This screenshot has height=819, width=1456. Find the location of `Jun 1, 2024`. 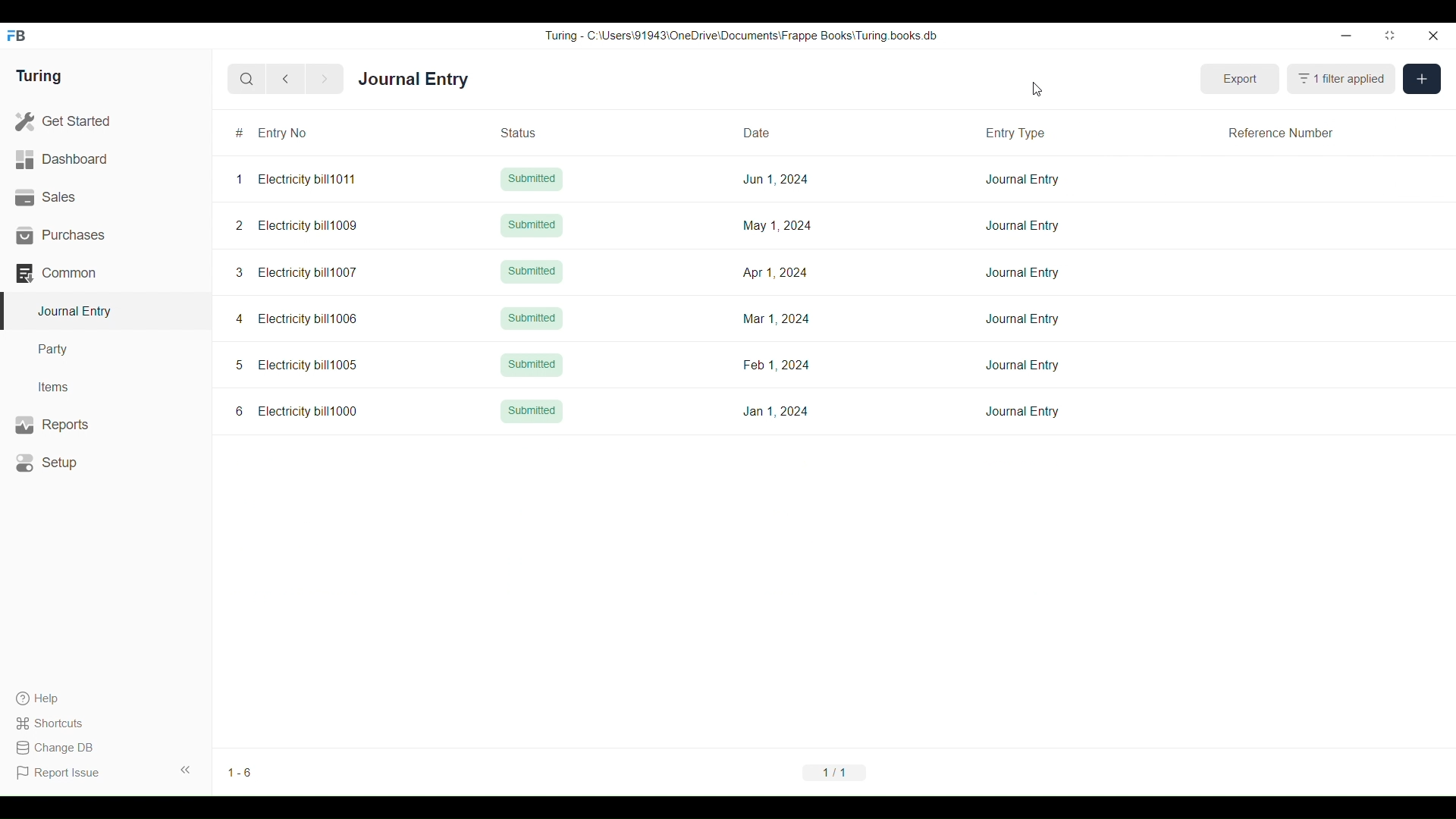

Jun 1, 2024 is located at coordinates (776, 179).